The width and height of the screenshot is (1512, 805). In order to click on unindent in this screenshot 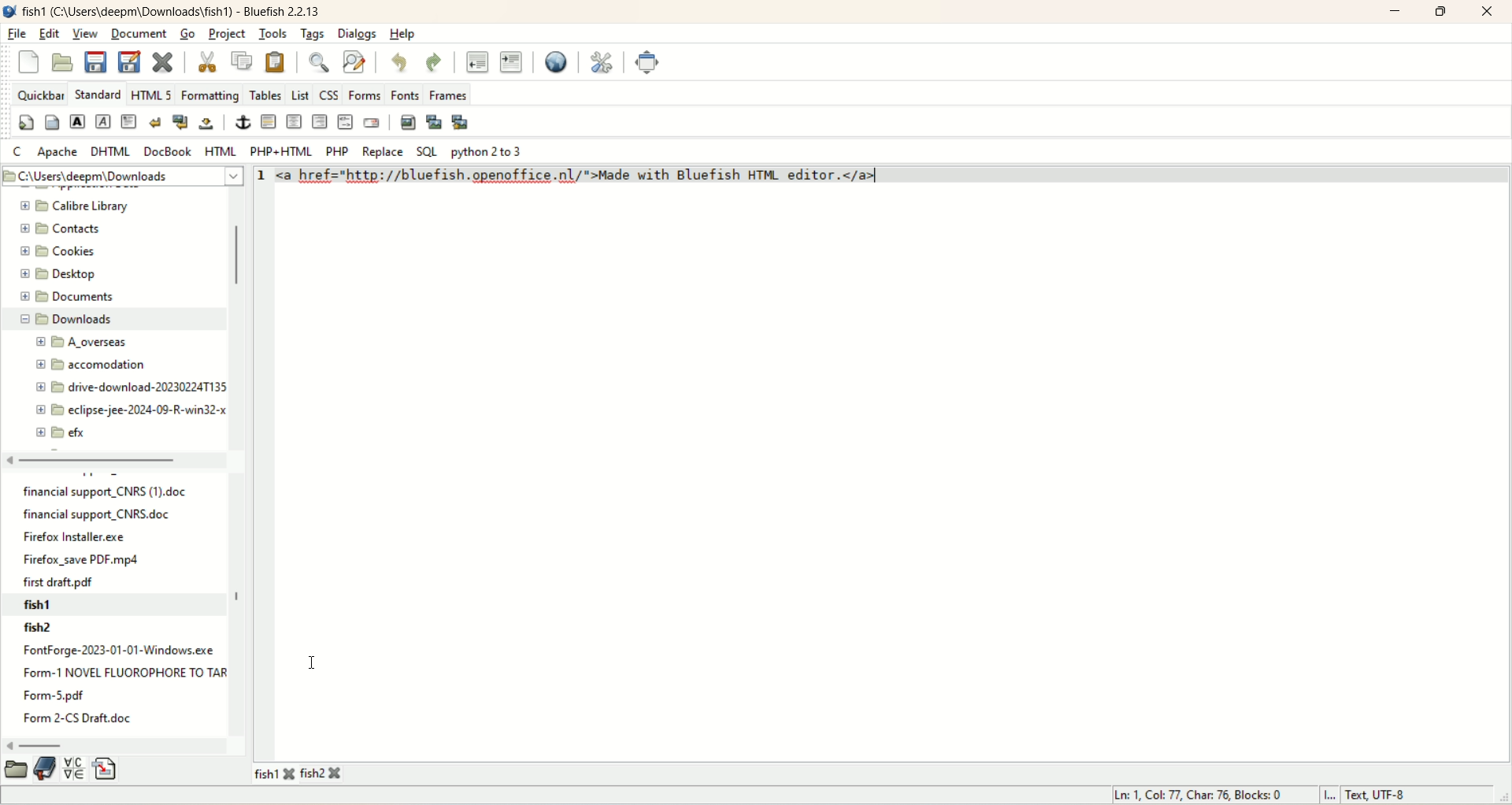, I will do `click(475, 63)`.